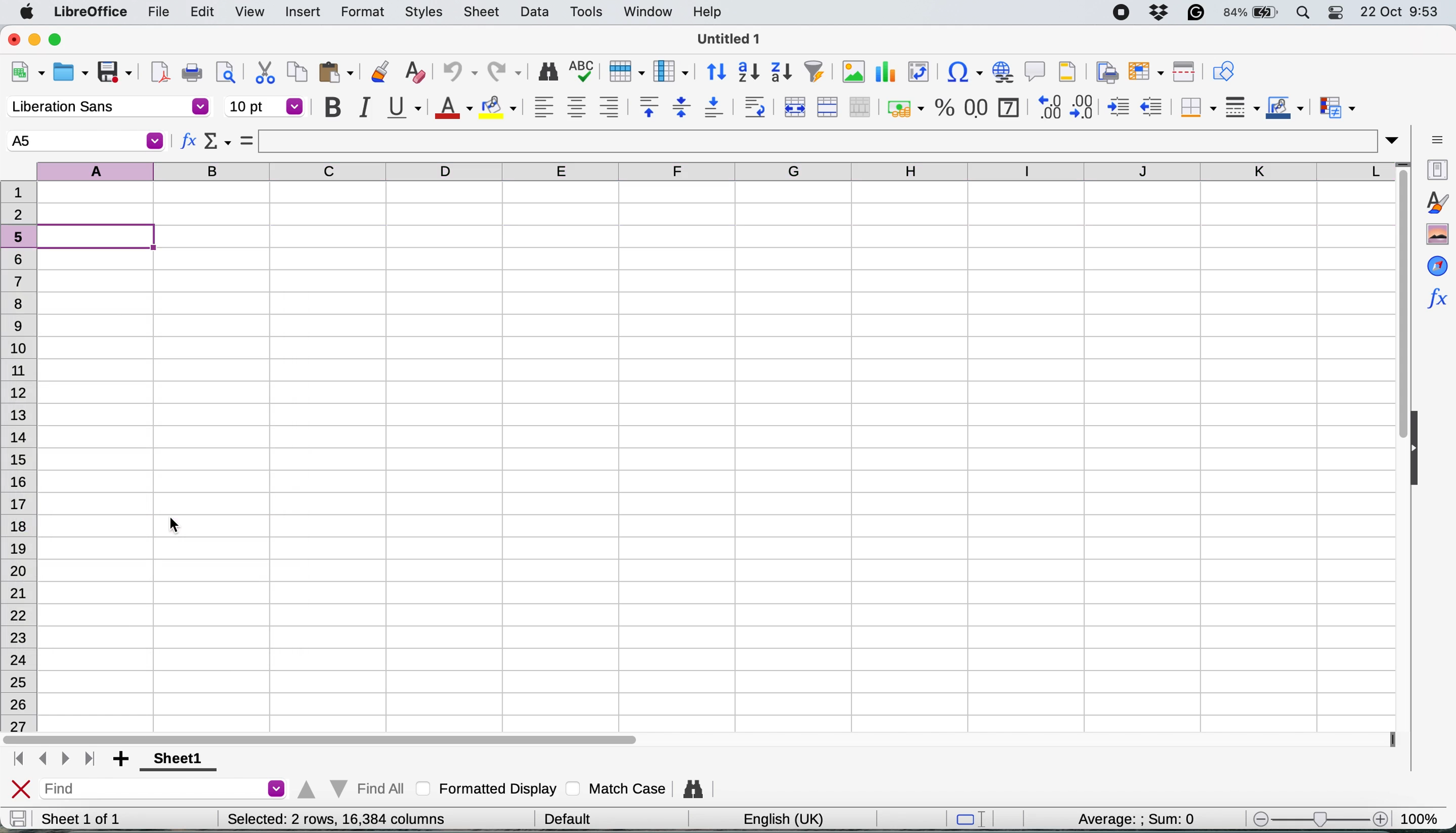  What do you see at coordinates (332, 108) in the screenshot?
I see `bold` at bounding box center [332, 108].